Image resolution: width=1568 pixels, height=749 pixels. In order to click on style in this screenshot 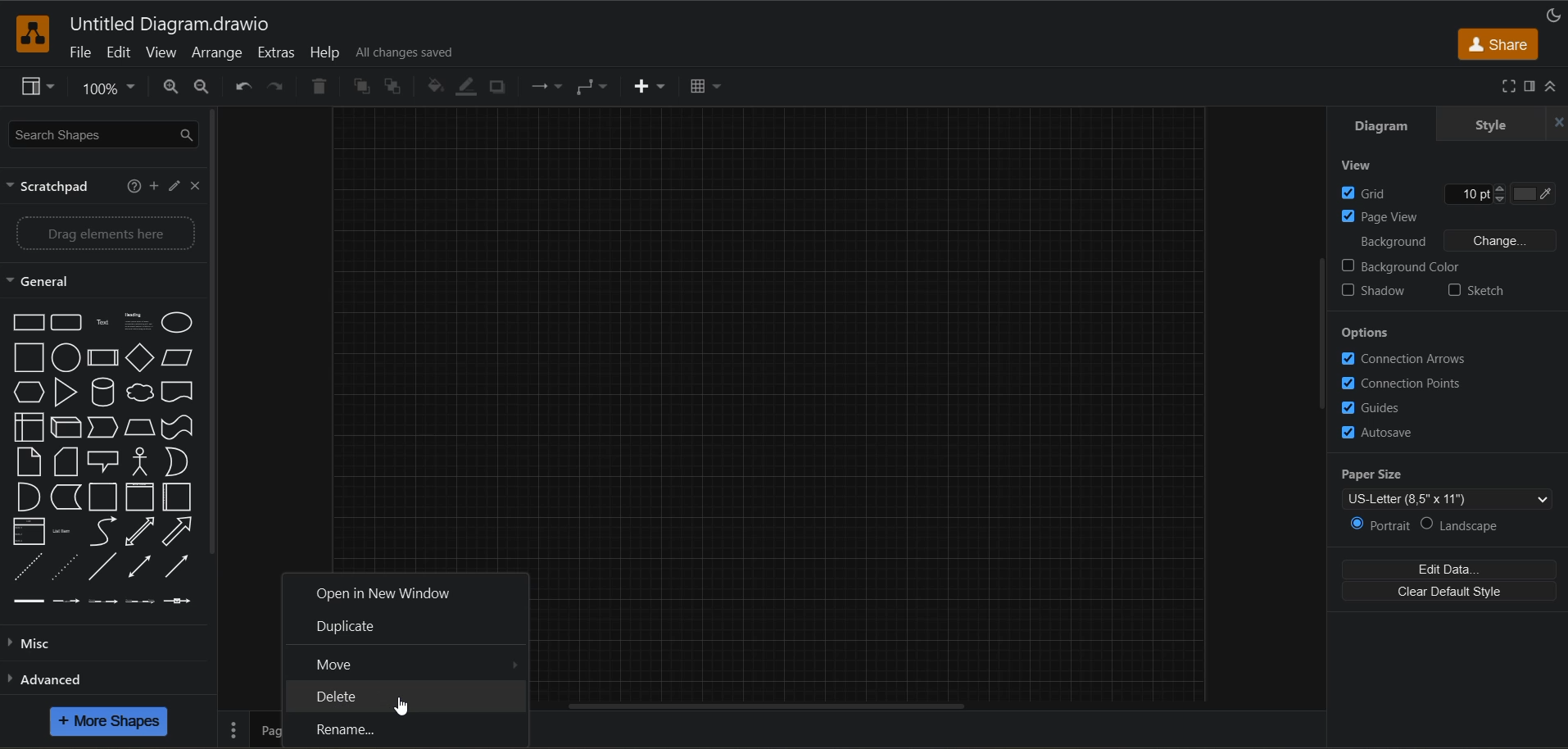, I will do `click(1487, 125)`.